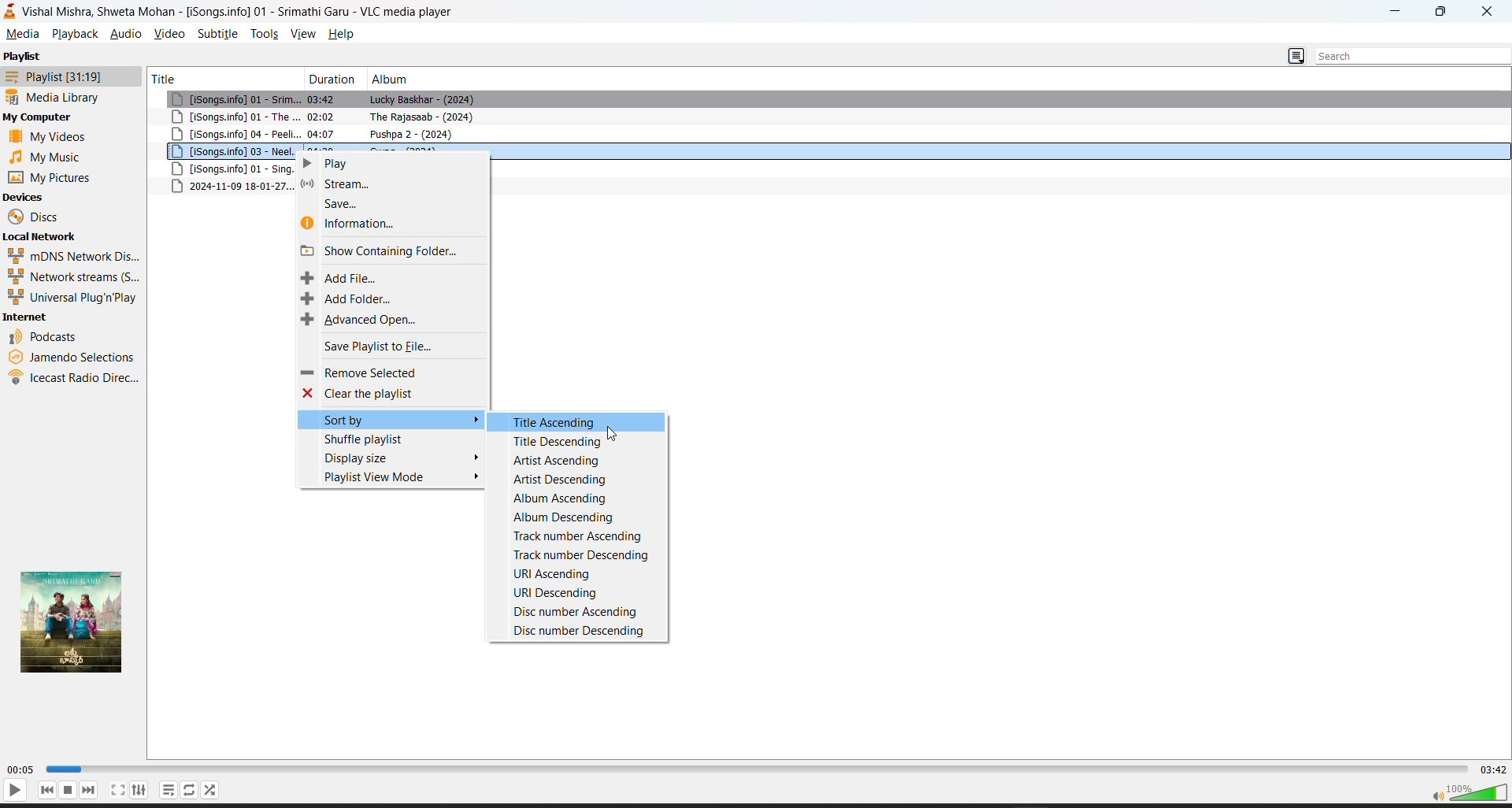 This screenshot has width=1512, height=808. What do you see at coordinates (42, 236) in the screenshot?
I see `local network` at bounding box center [42, 236].